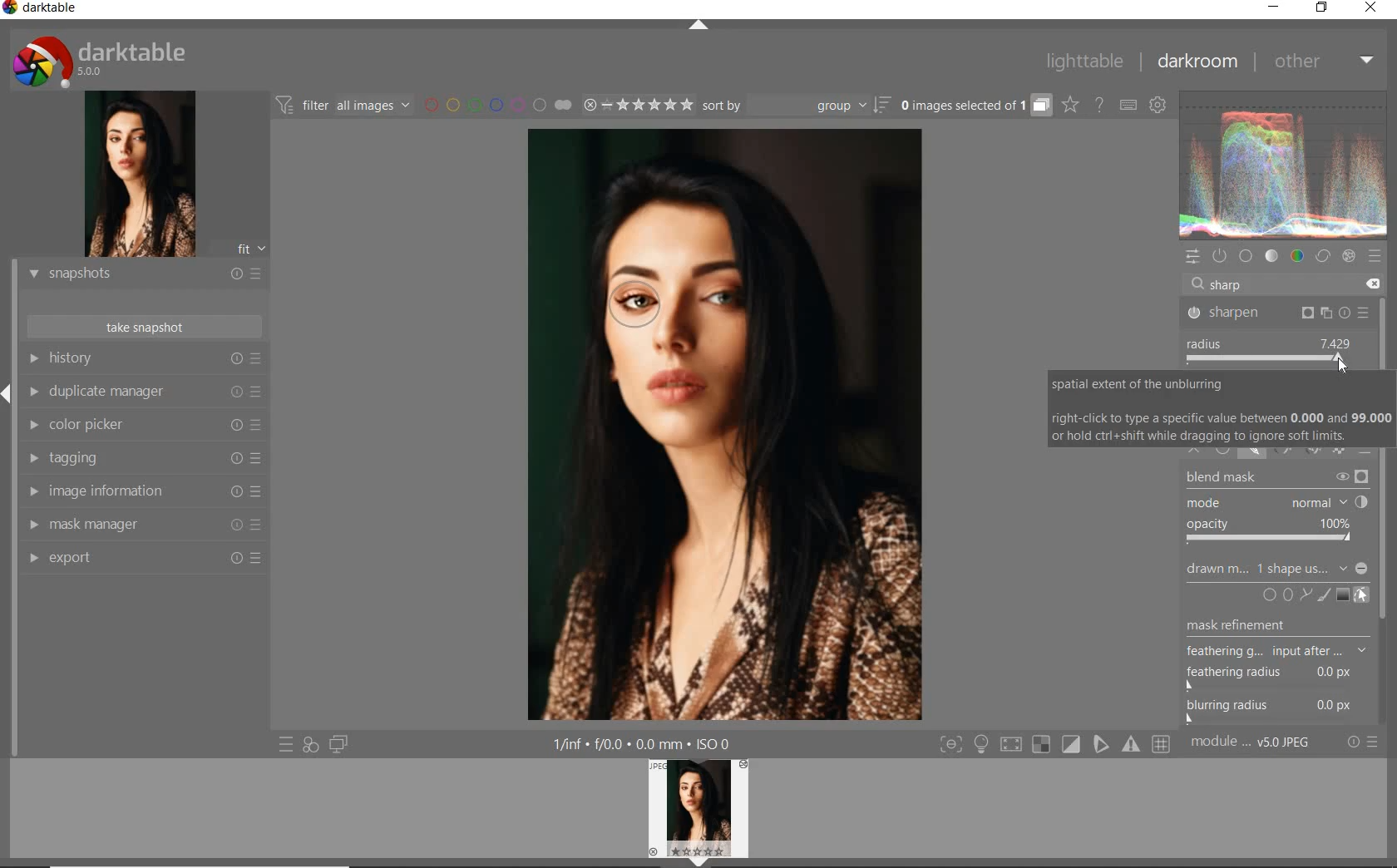 This screenshot has width=1397, height=868. I want to click on add brush, so click(1324, 593).